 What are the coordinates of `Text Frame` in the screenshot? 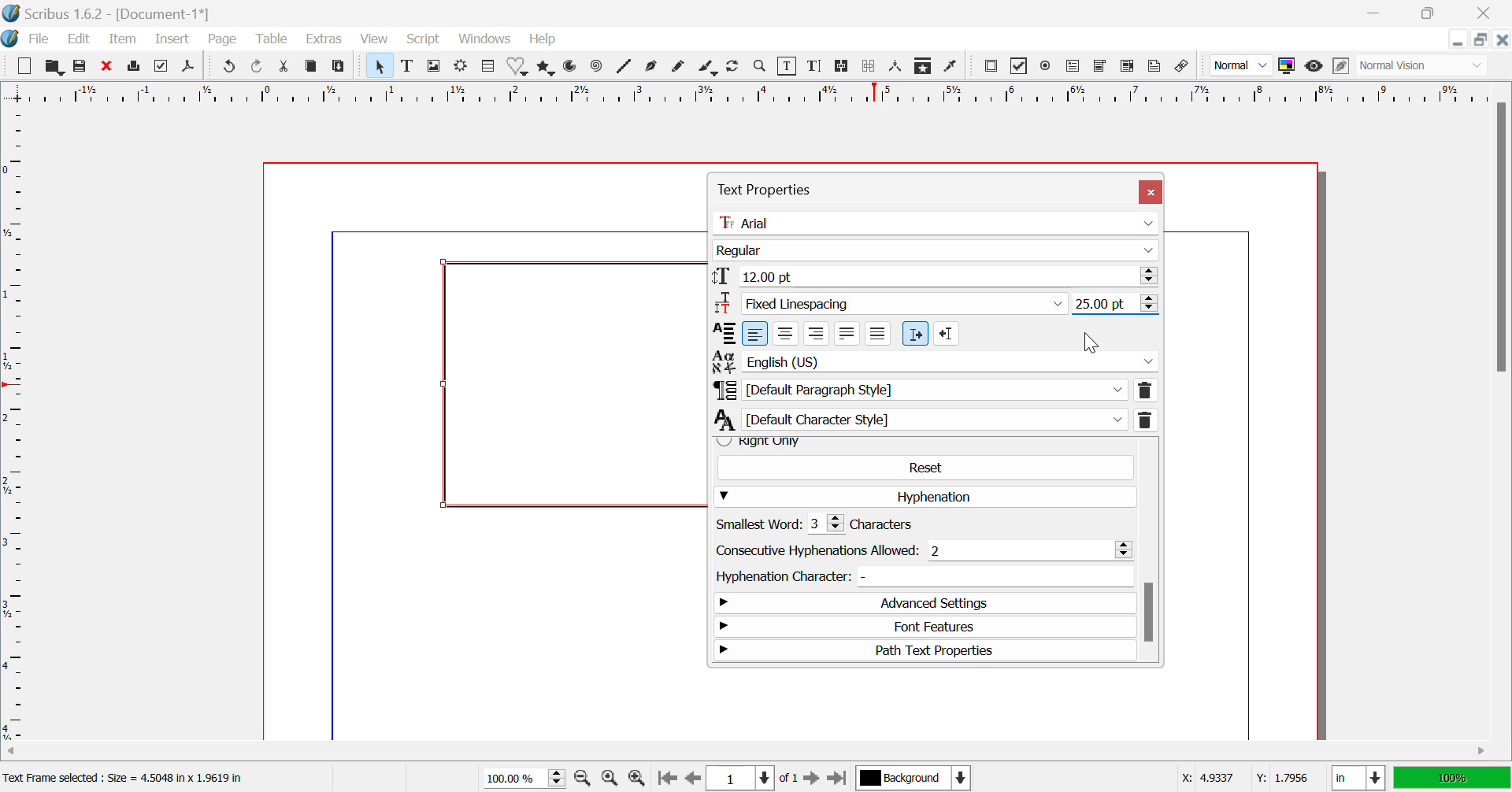 It's located at (408, 68).